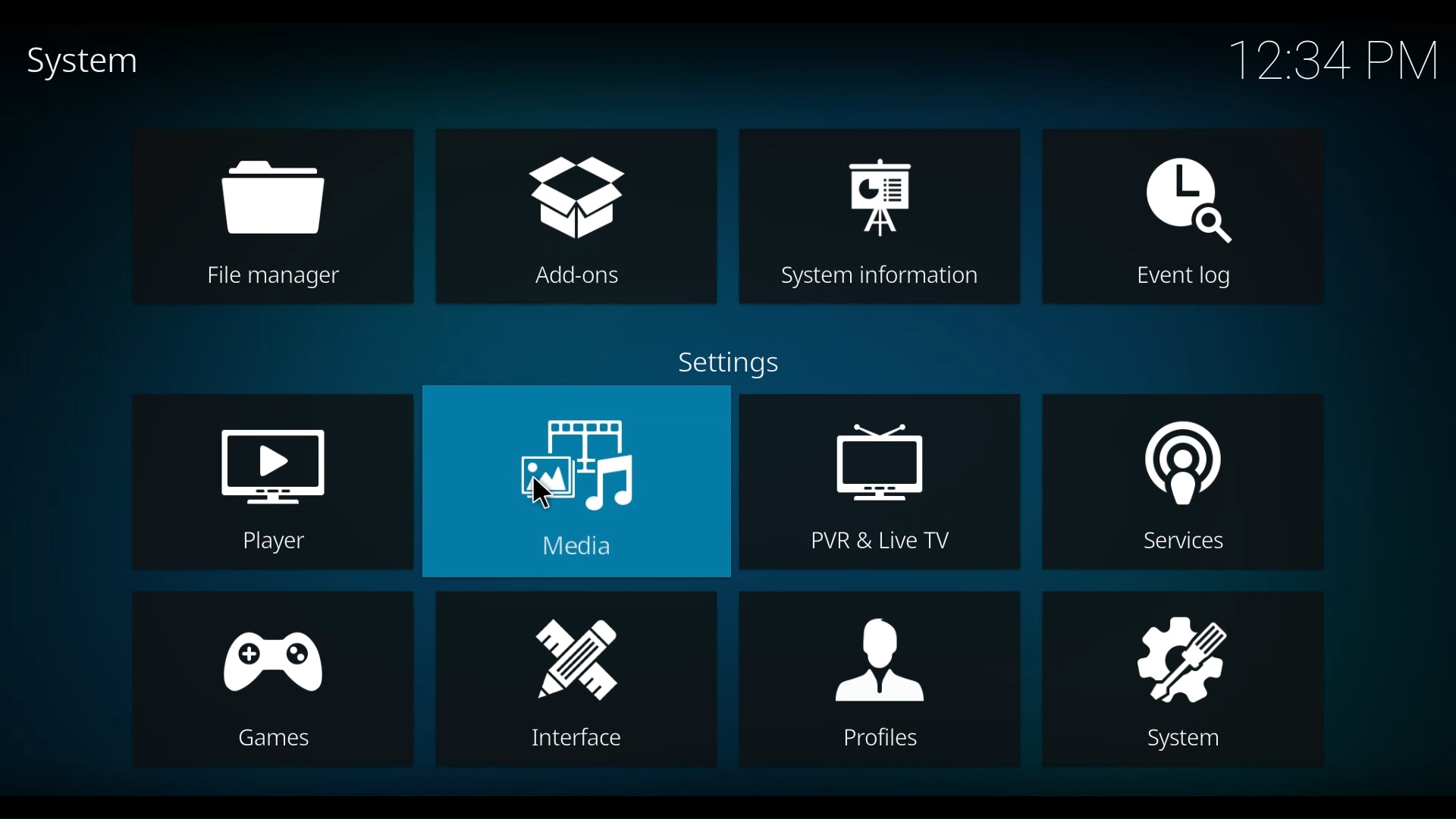 This screenshot has height=819, width=1456. I want to click on Time, so click(1332, 61).